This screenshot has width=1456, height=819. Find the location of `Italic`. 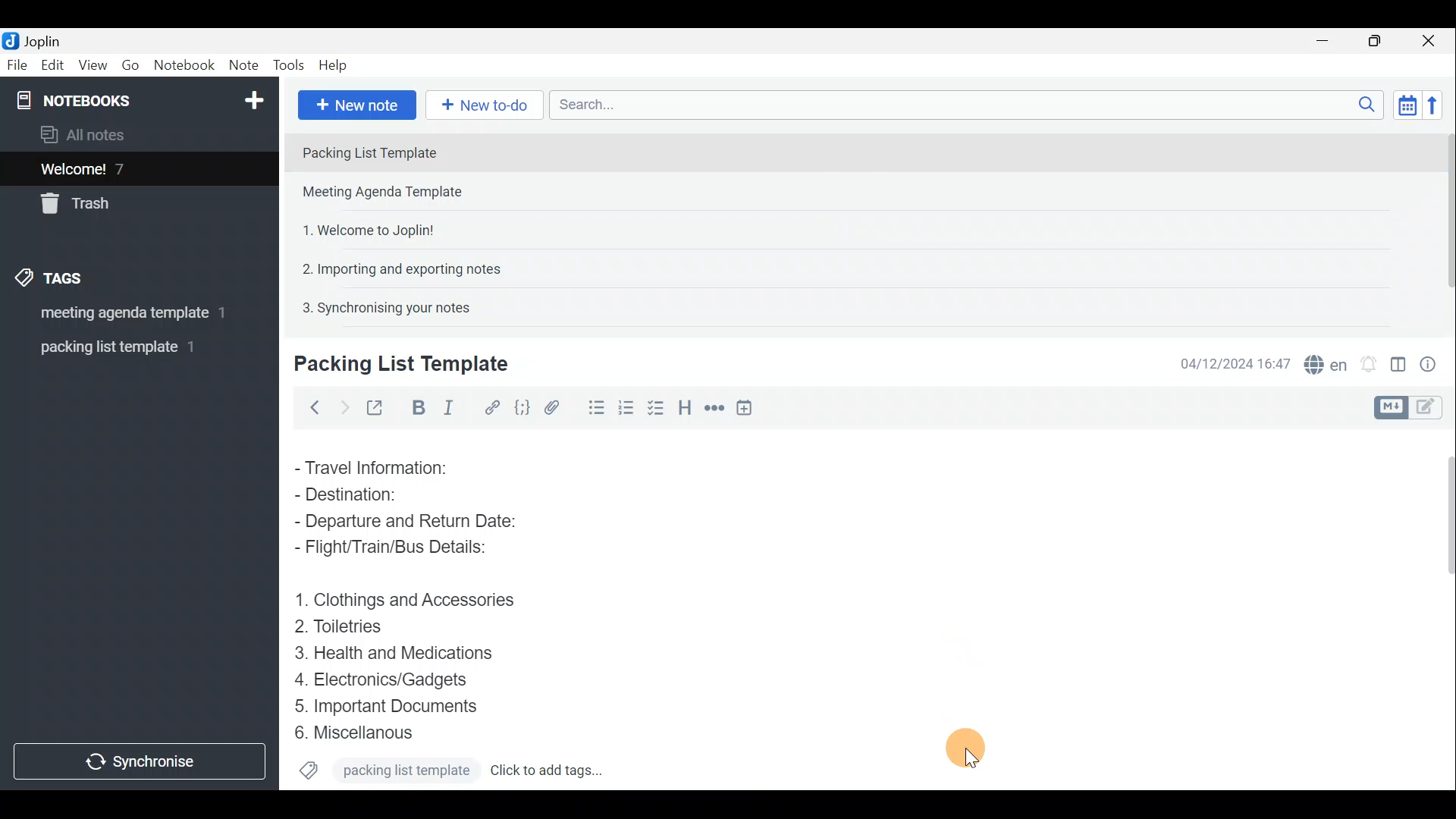

Italic is located at coordinates (454, 407).